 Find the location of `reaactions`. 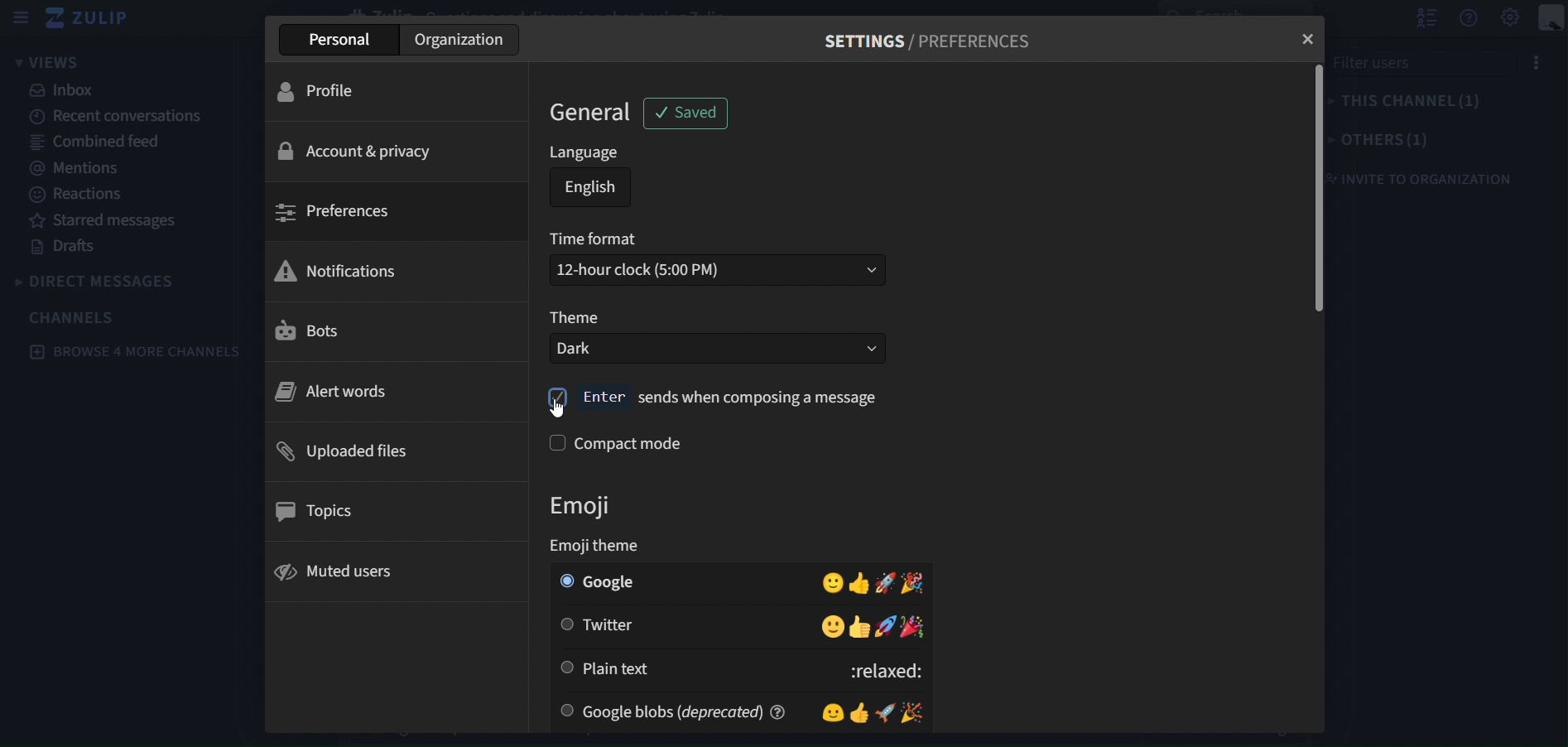

reaactions is located at coordinates (84, 195).